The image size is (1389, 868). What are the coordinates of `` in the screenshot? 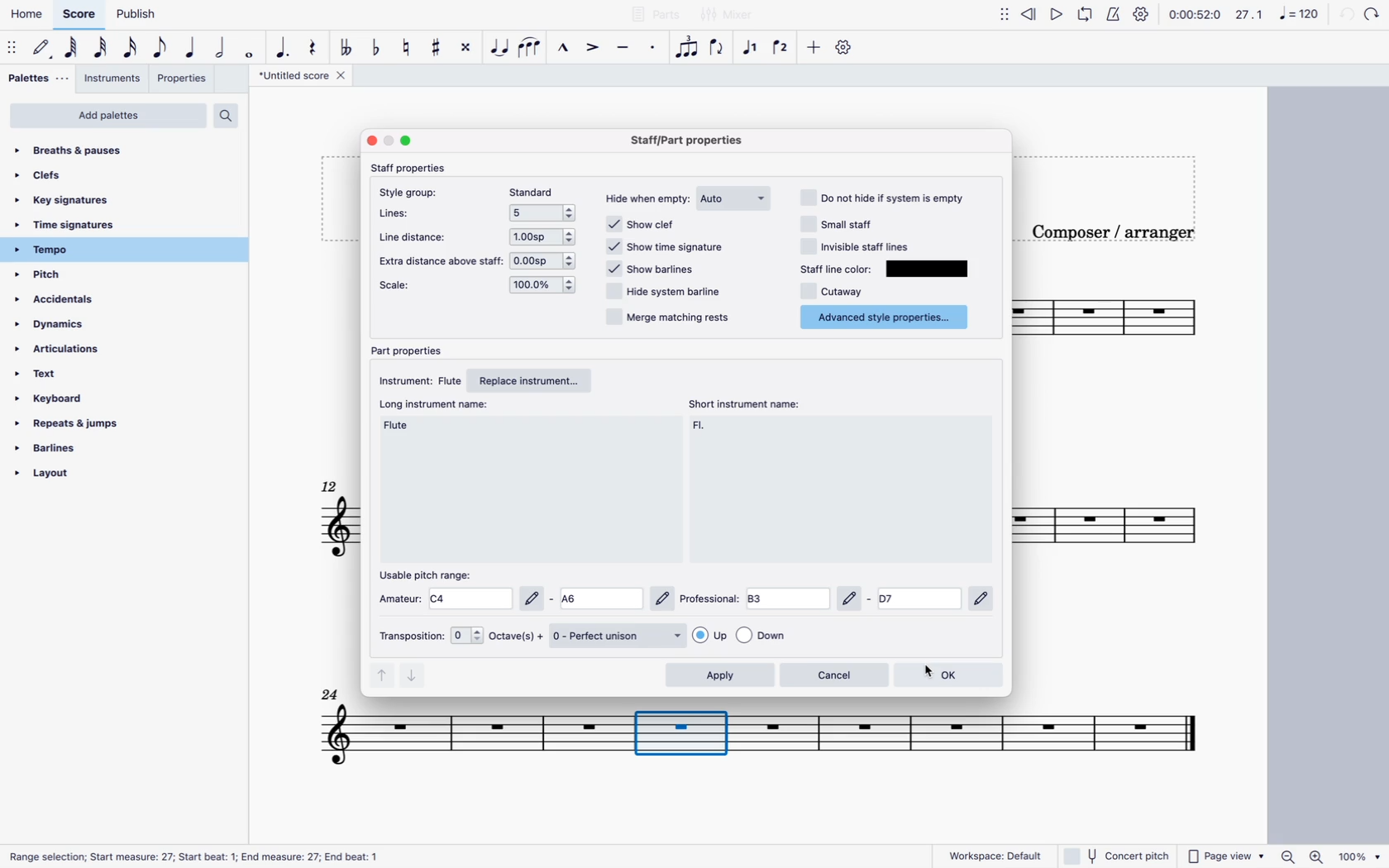 It's located at (919, 599).